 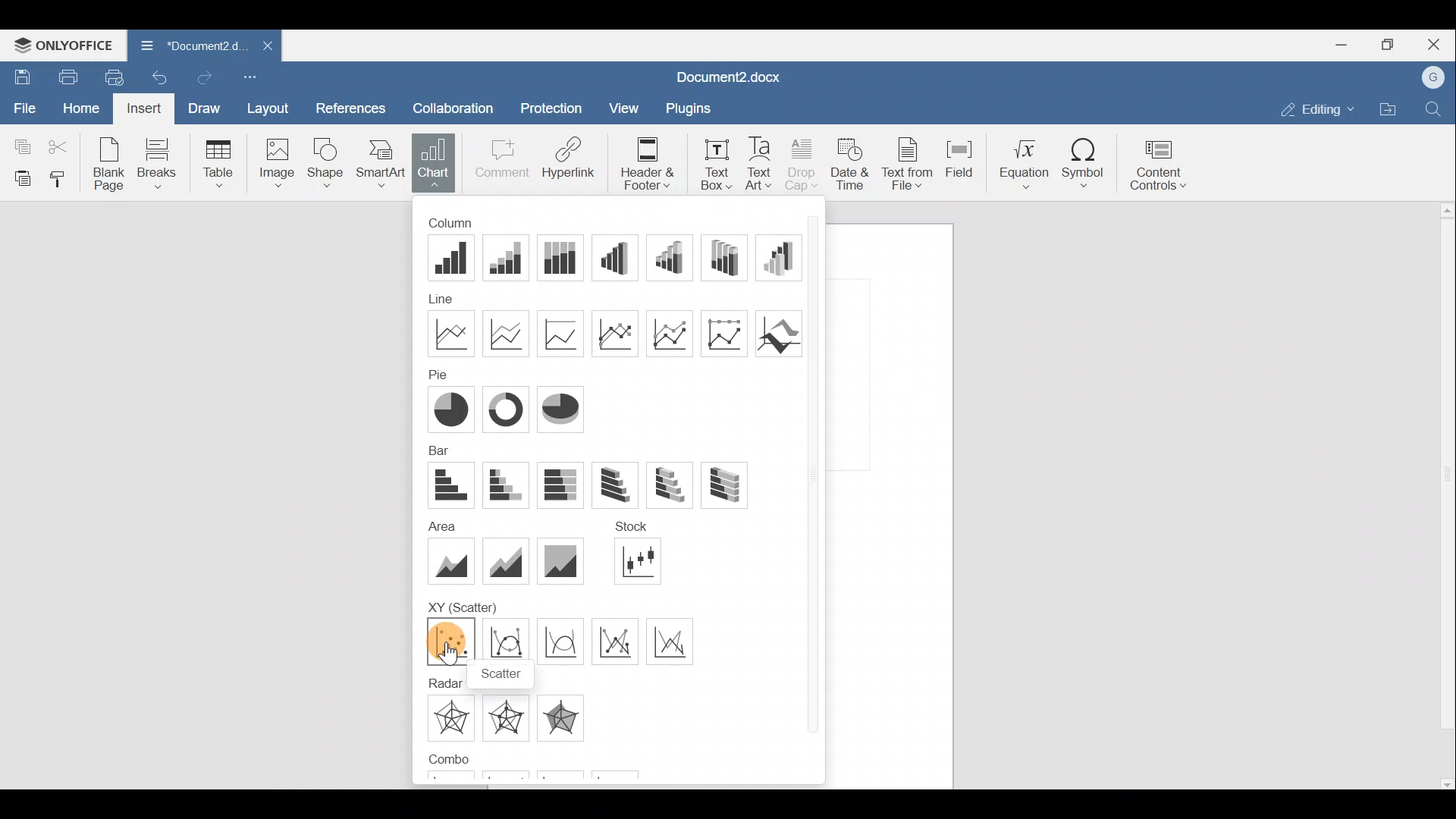 What do you see at coordinates (504, 642) in the screenshot?
I see `Scatter with smooth lines & markers` at bounding box center [504, 642].